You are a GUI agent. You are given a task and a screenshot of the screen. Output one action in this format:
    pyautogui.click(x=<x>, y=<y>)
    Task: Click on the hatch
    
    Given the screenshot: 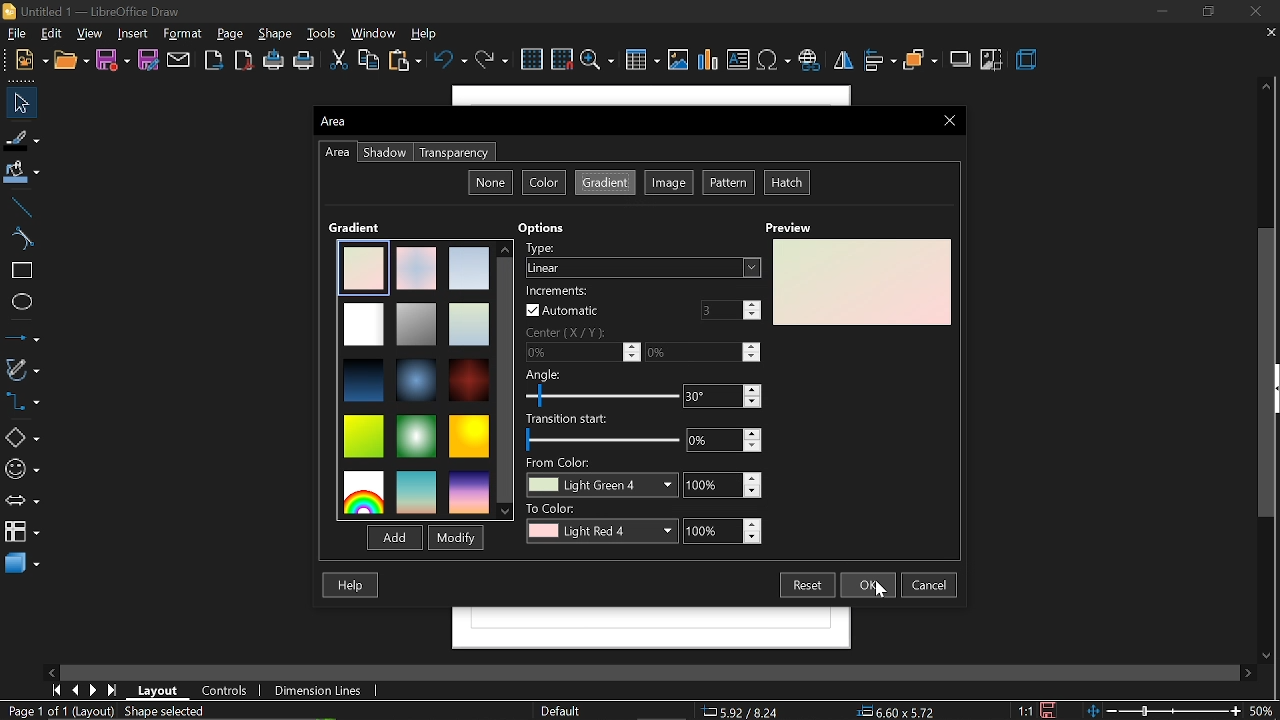 What is the action you would take?
    pyautogui.click(x=788, y=183)
    